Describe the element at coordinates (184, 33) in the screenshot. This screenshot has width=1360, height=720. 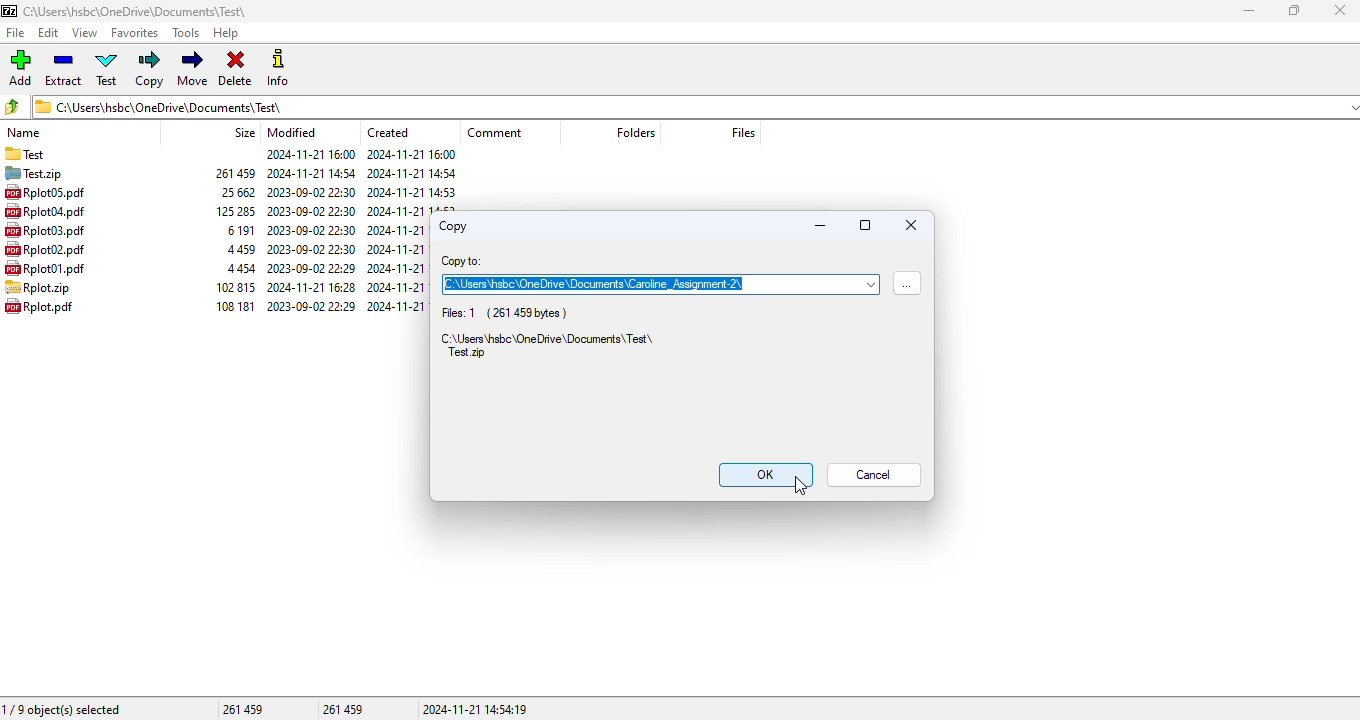
I see `tools` at that location.